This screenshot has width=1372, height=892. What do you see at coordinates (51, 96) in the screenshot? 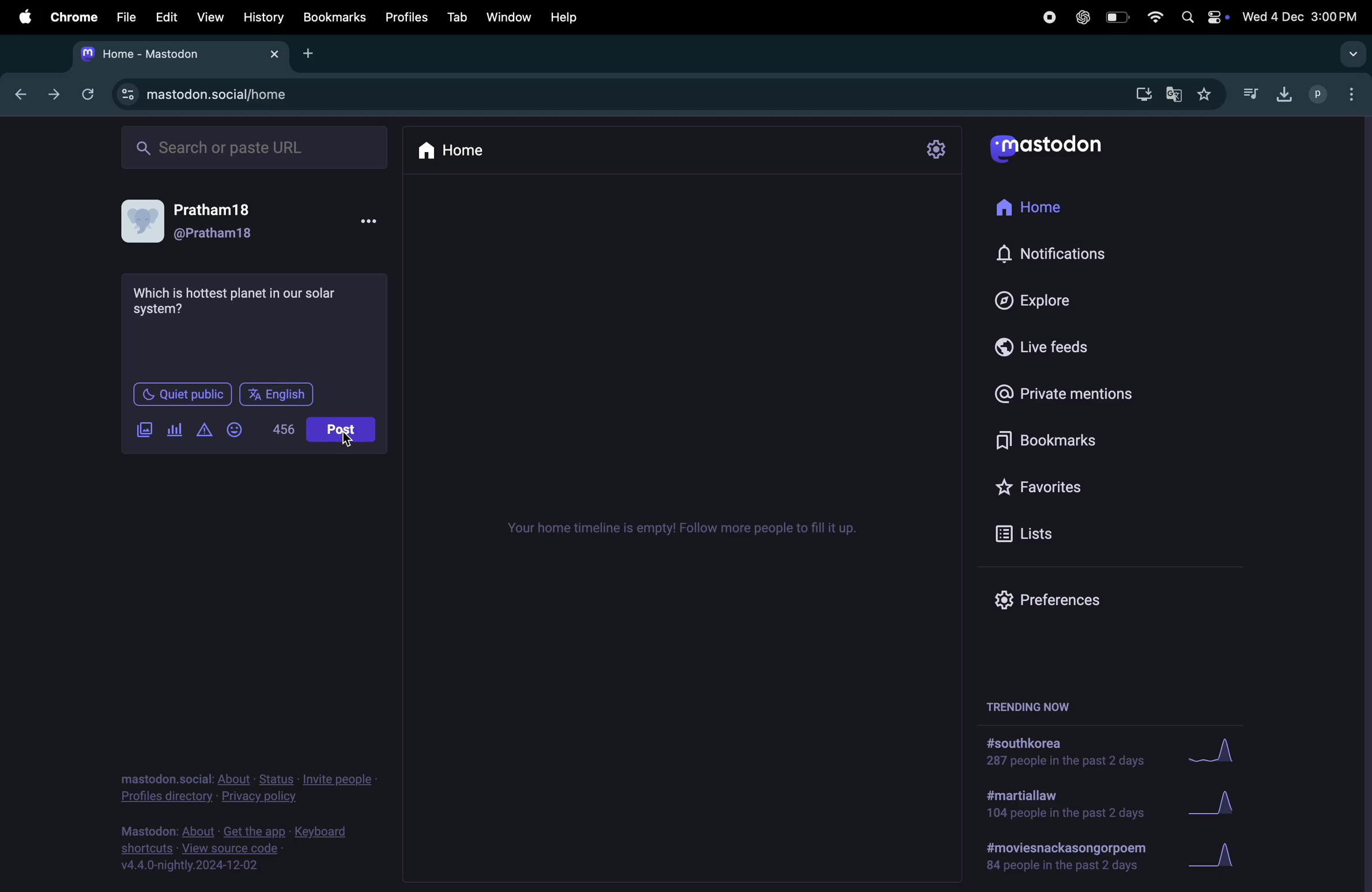
I see `frwardward` at bounding box center [51, 96].